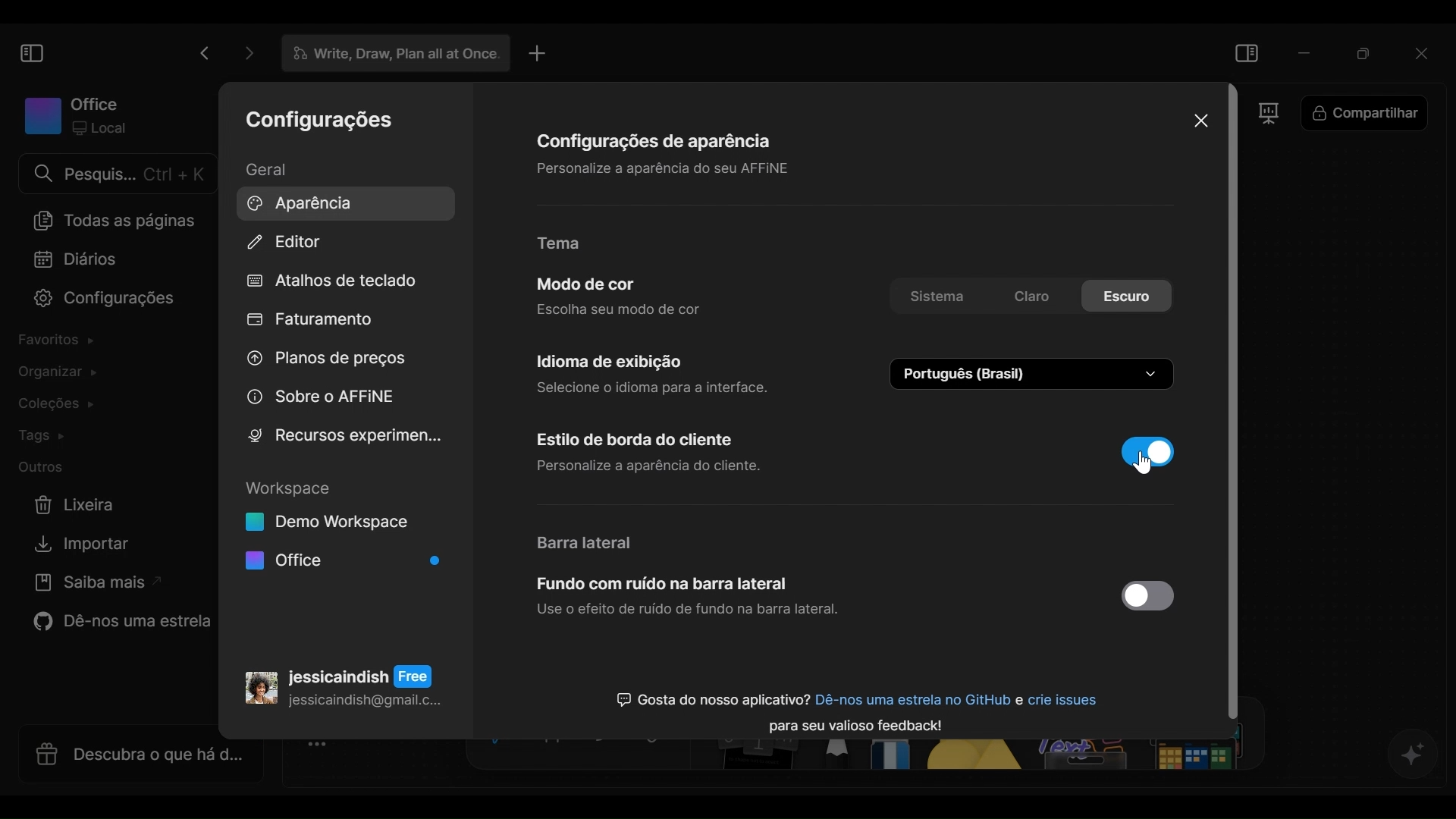 The image size is (1456, 819). What do you see at coordinates (46, 436) in the screenshot?
I see `Tags` at bounding box center [46, 436].